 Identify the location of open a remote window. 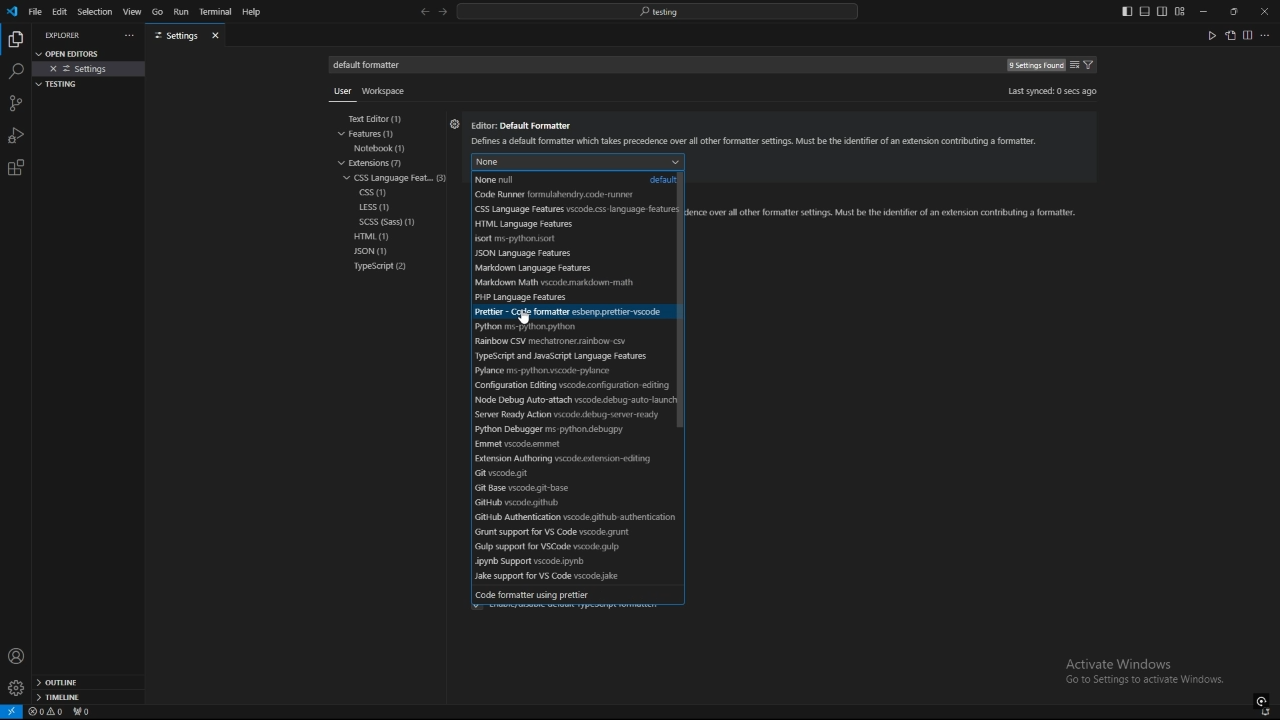
(12, 712).